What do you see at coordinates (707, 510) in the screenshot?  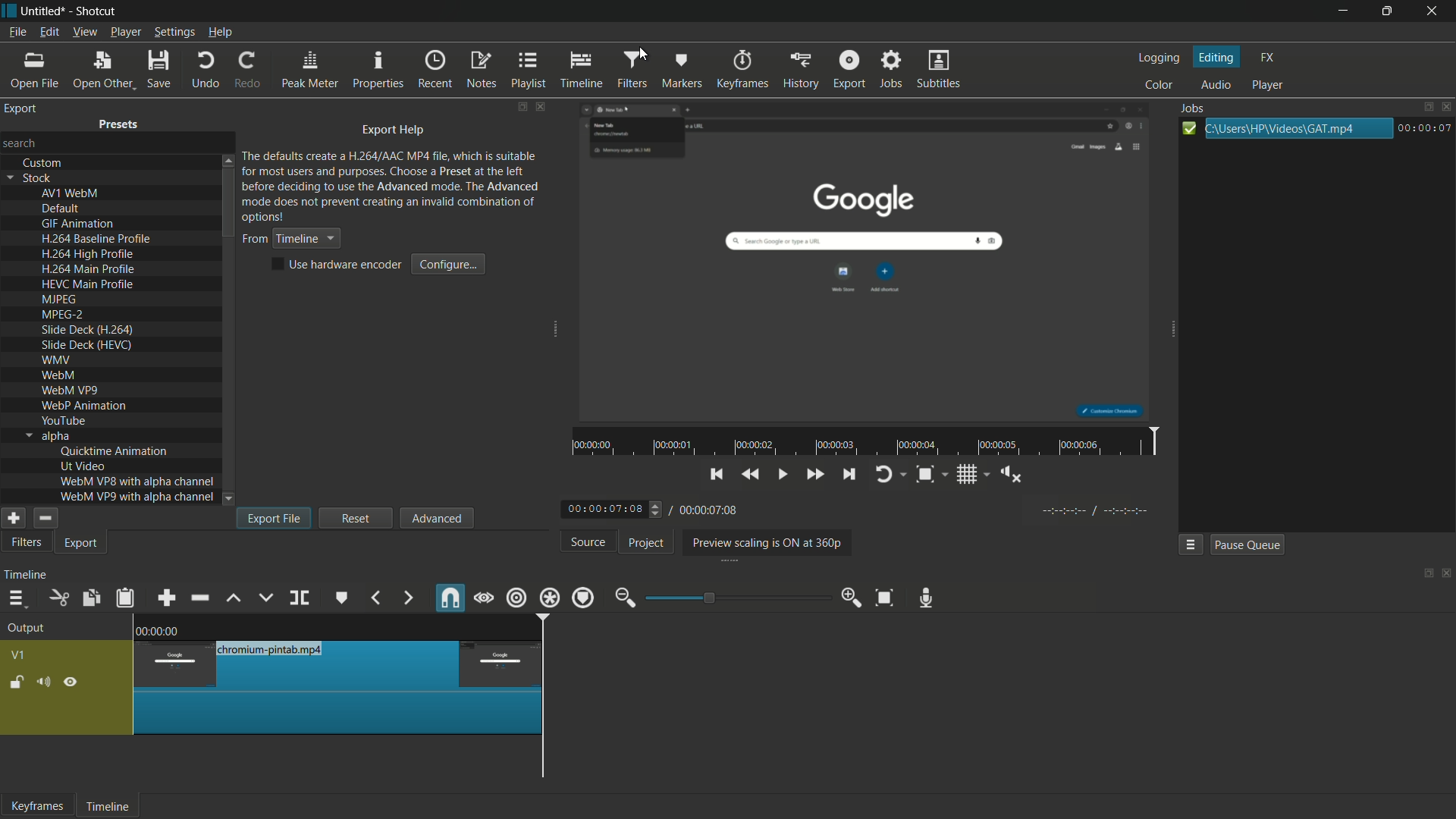 I see `total time` at bounding box center [707, 510].